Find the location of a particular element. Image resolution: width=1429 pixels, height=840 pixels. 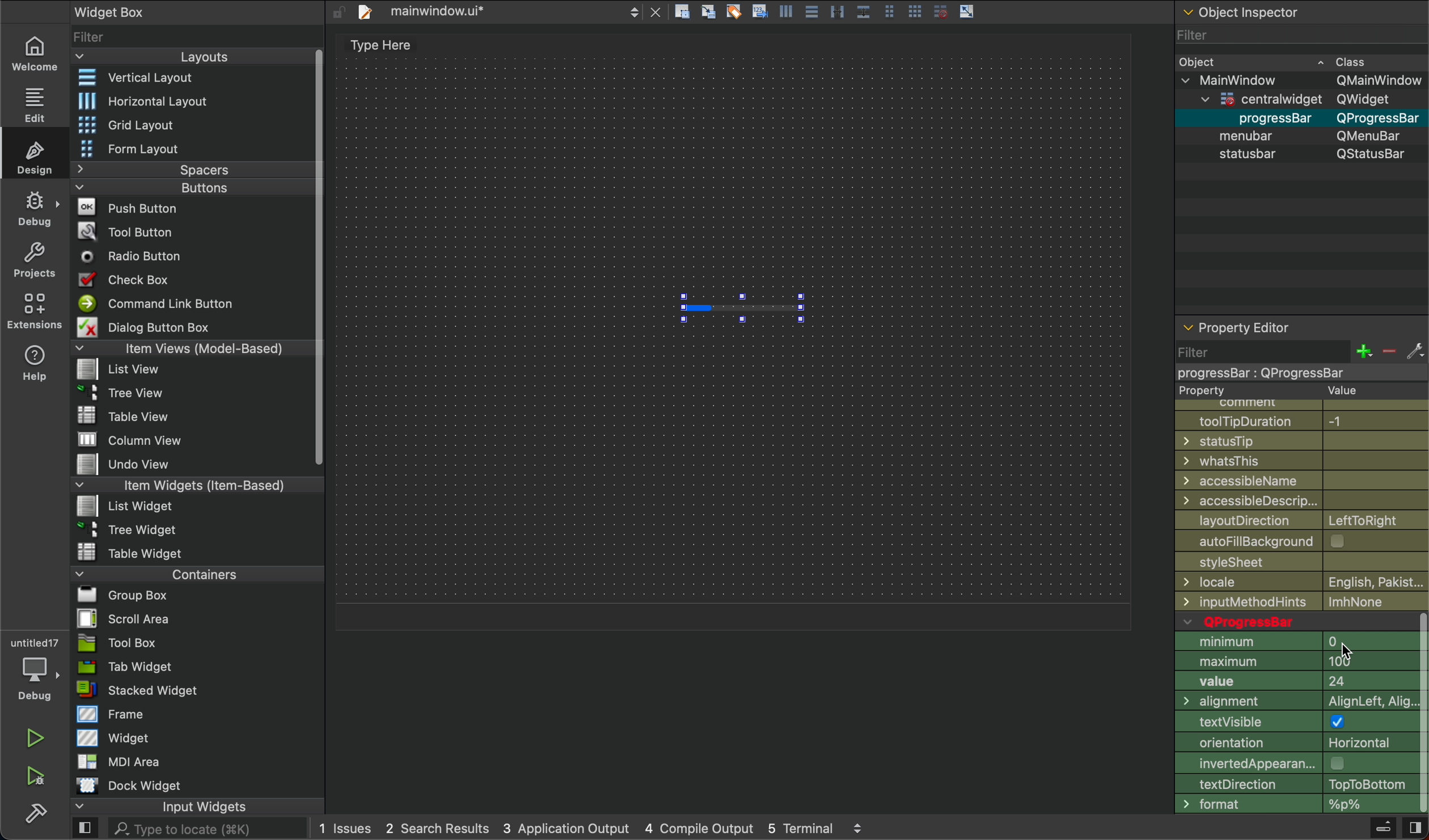

value is located at coordinates (1294, 684).